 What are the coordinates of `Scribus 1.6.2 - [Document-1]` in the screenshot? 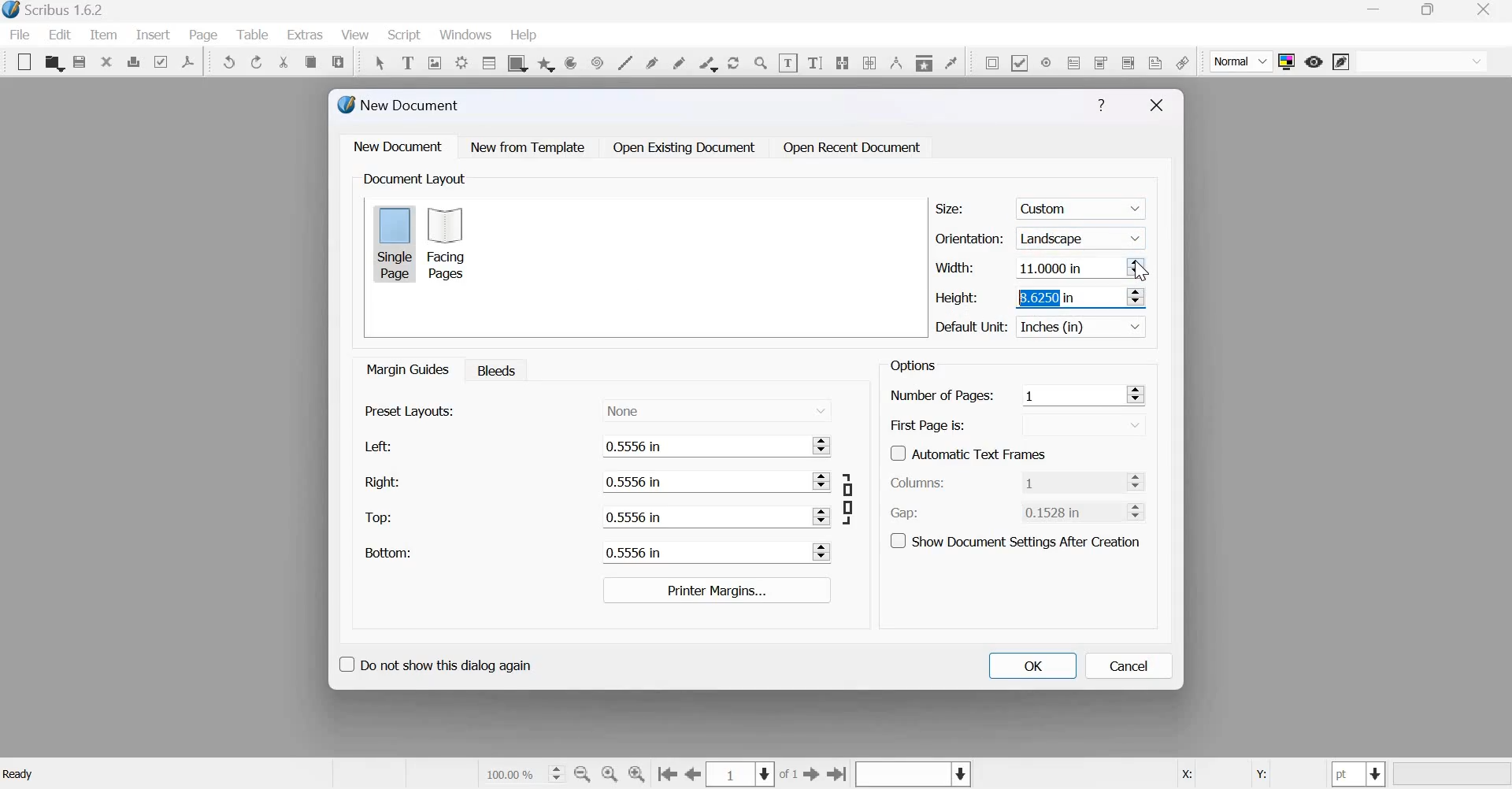 It's located at (57, 11).